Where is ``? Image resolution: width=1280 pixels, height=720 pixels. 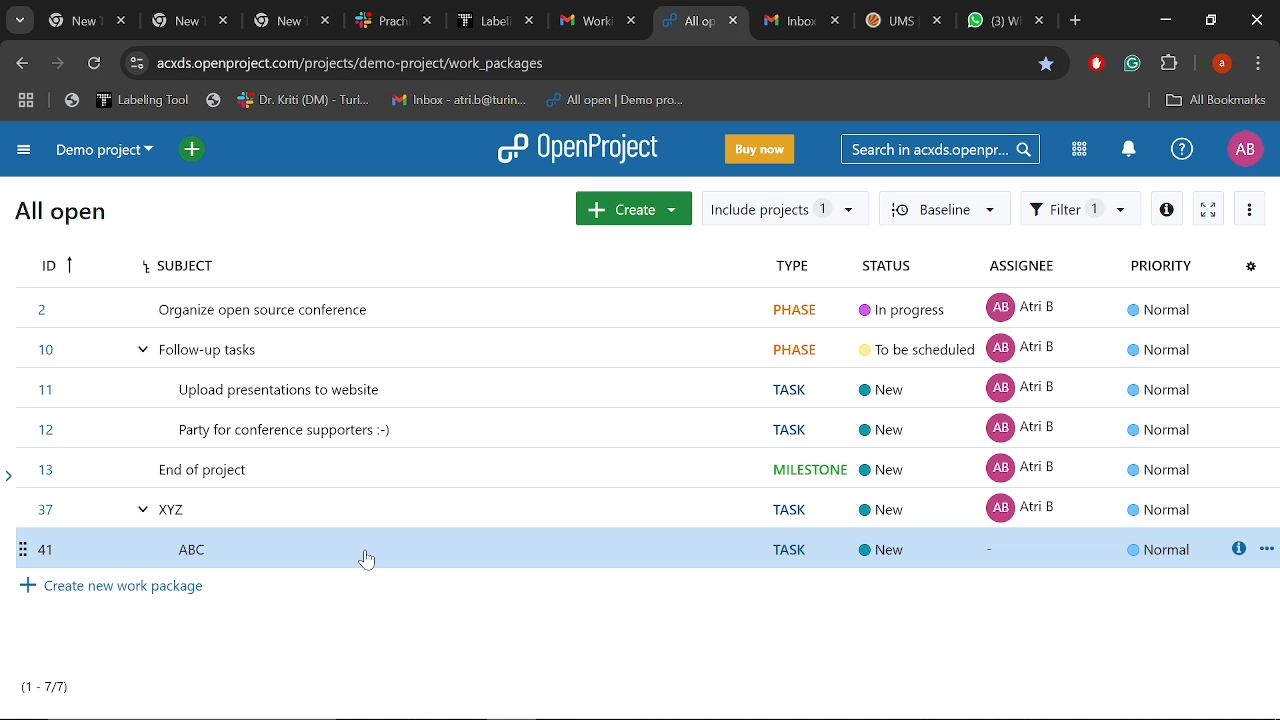  is located at coordinates (27, 151).